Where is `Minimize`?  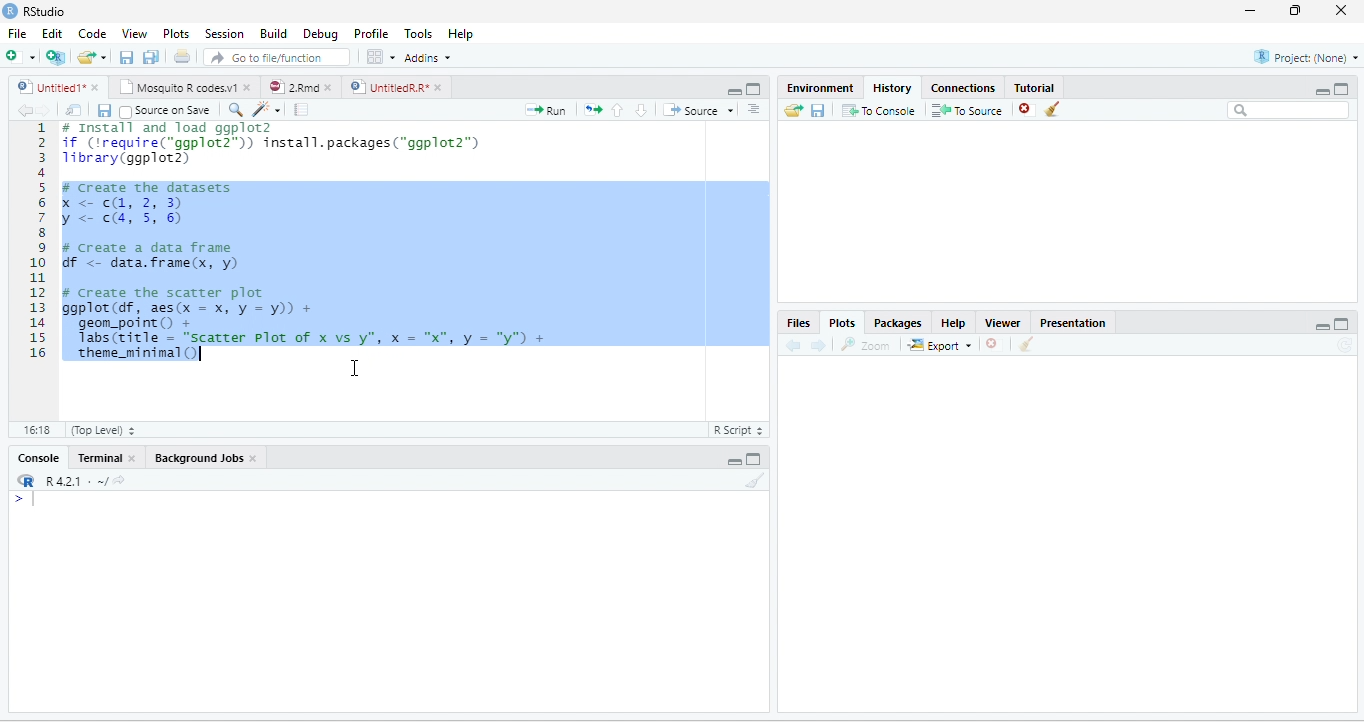
Minimize is located at coordinates (1322, 91).